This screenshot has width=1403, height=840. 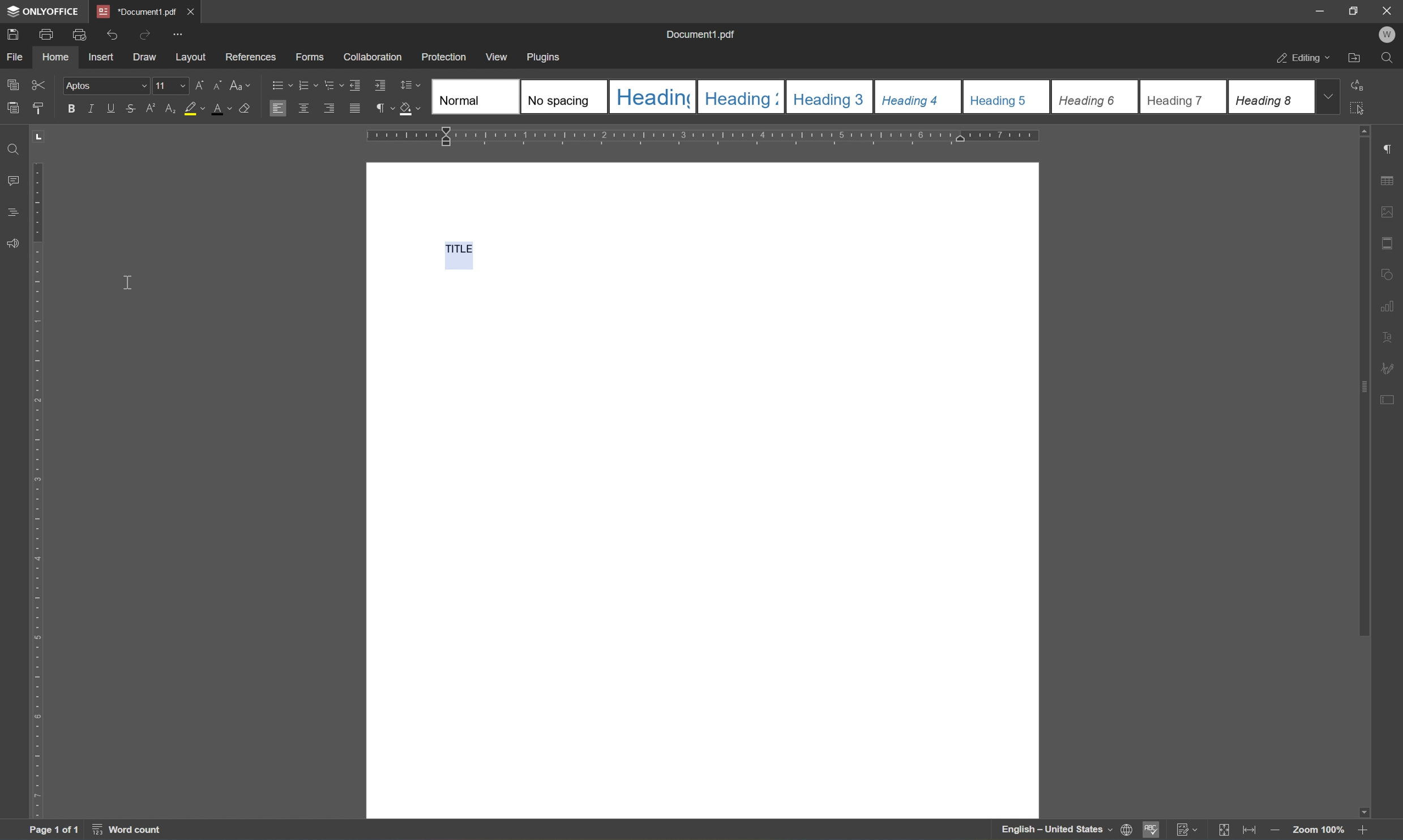 What do you see at coordinates (1319, 11) in the screenshot?
I see `minimize` at bounding box center [1319, 11].